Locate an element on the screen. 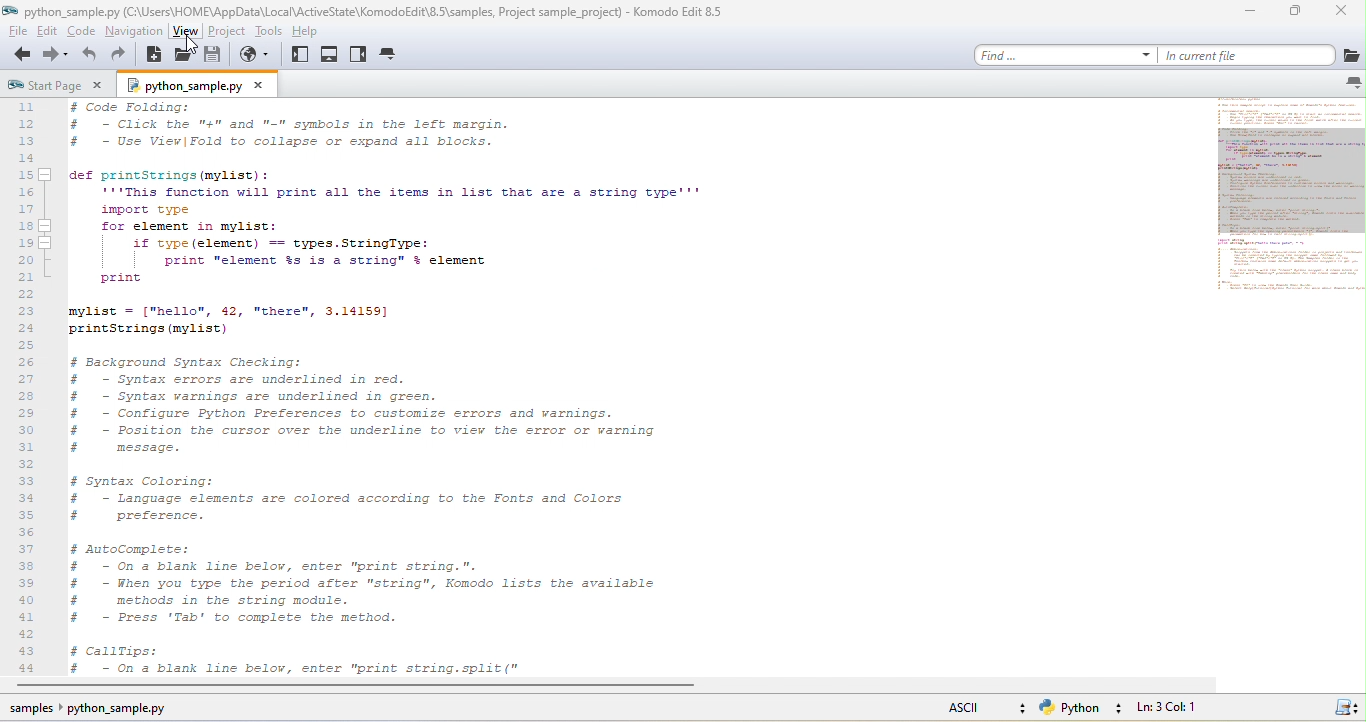 This screenshot has height=722, width=1366. notification is located at coordinates (1355, 83).